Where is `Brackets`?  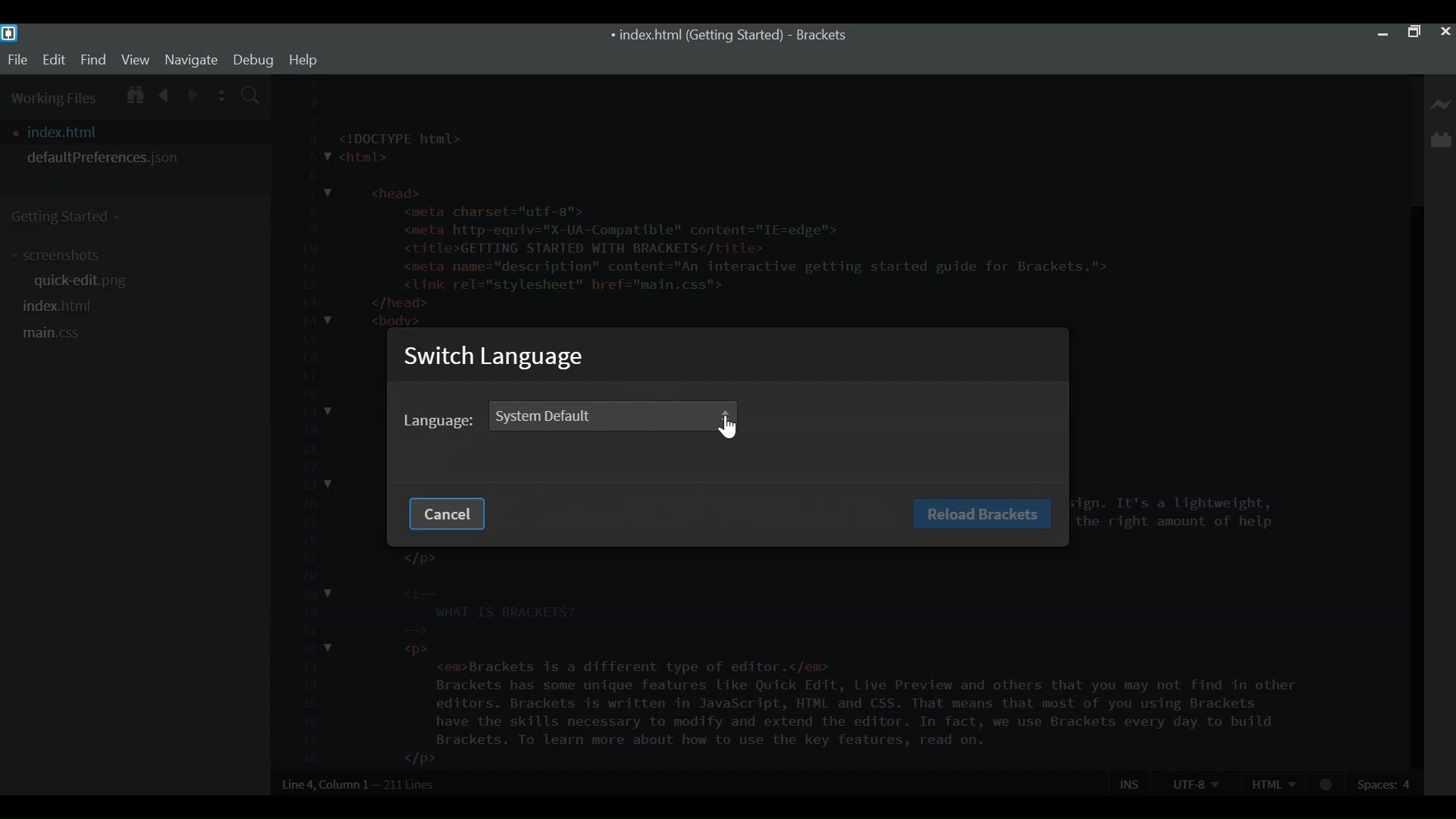 Brackets is located at coordinates (821, 36).